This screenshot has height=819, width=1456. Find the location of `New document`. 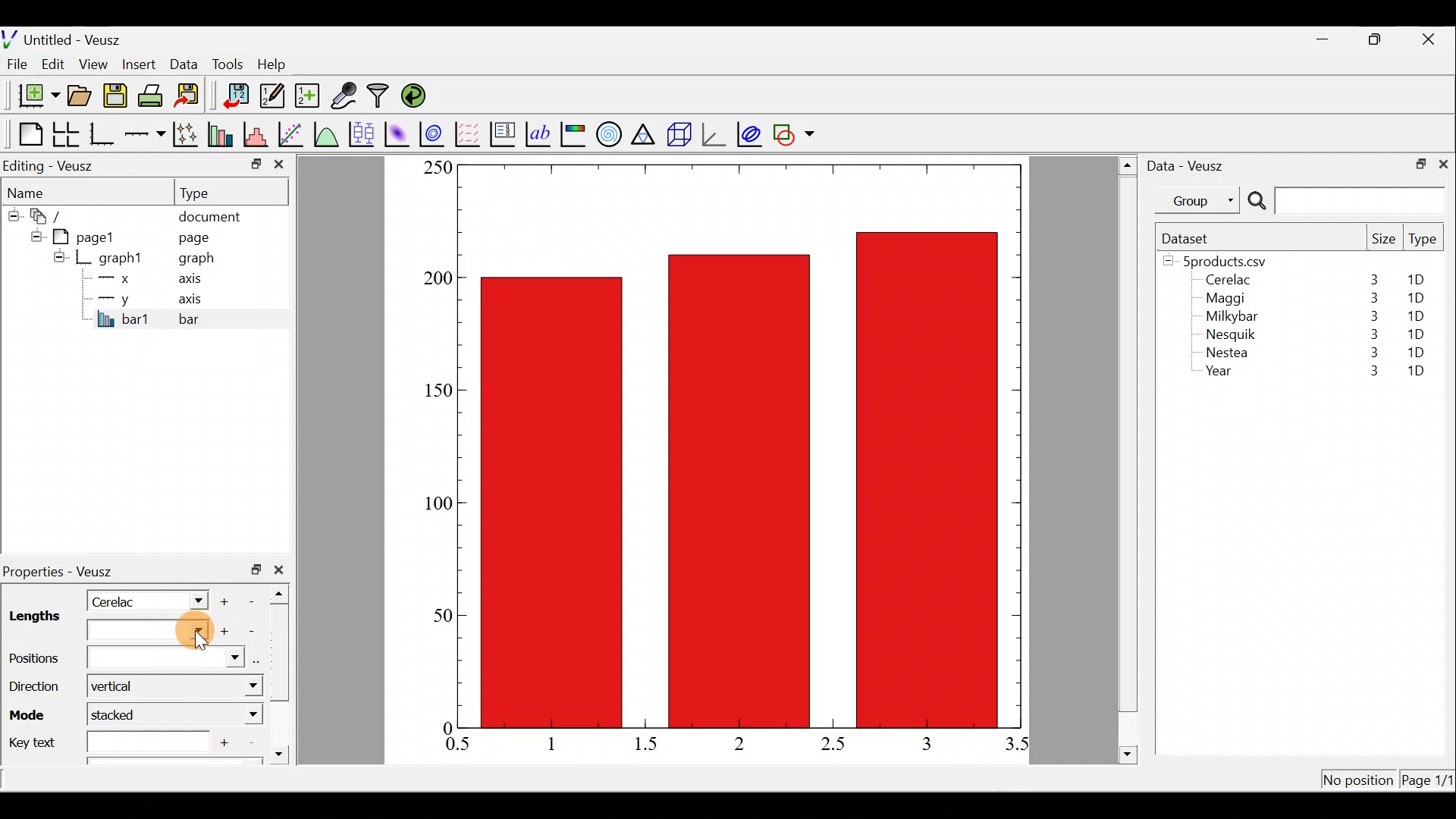

New document is located at coordinates (33, 96).